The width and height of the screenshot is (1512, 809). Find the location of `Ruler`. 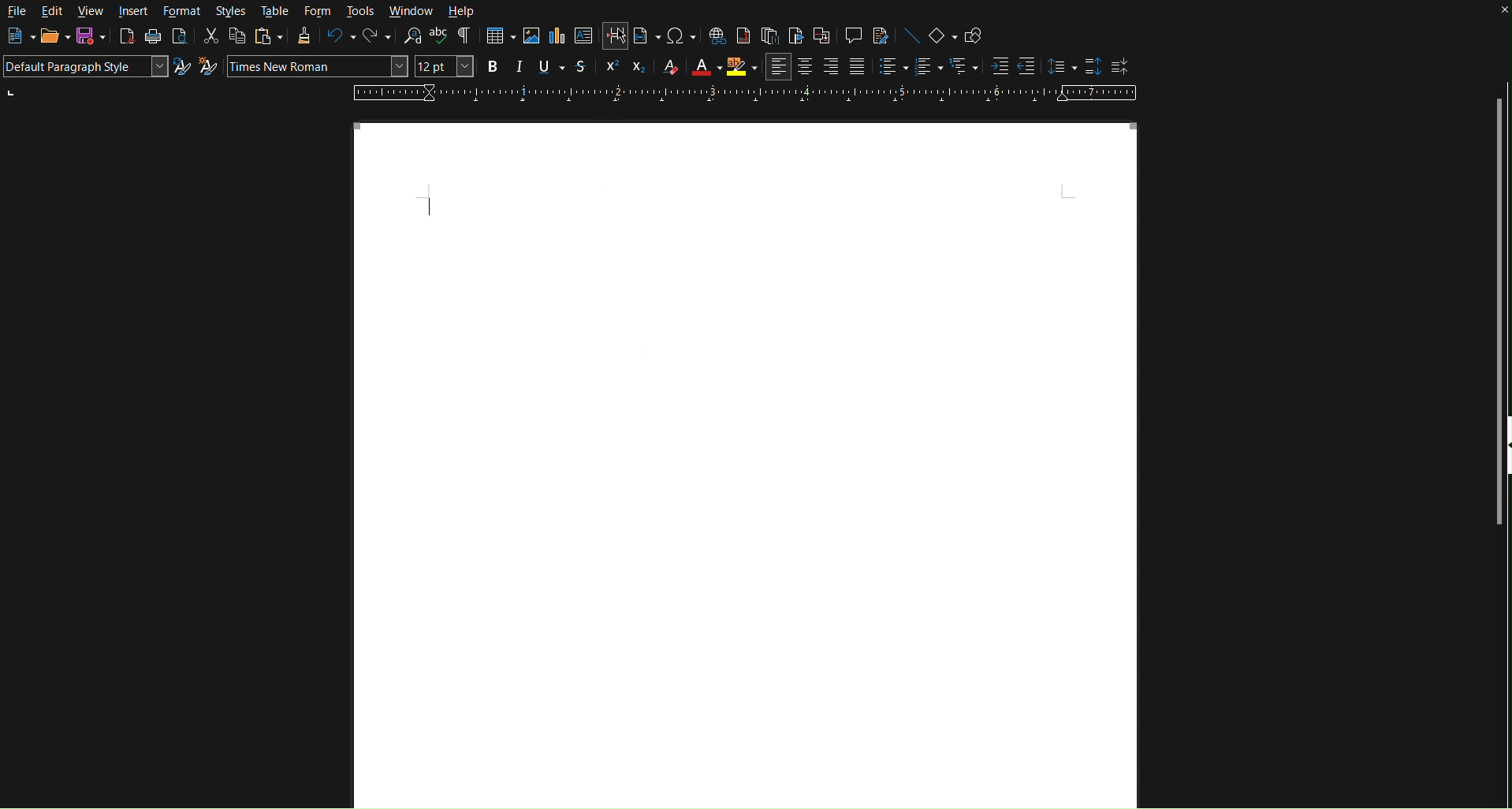

Ruler is located at coordinates (743, 94).